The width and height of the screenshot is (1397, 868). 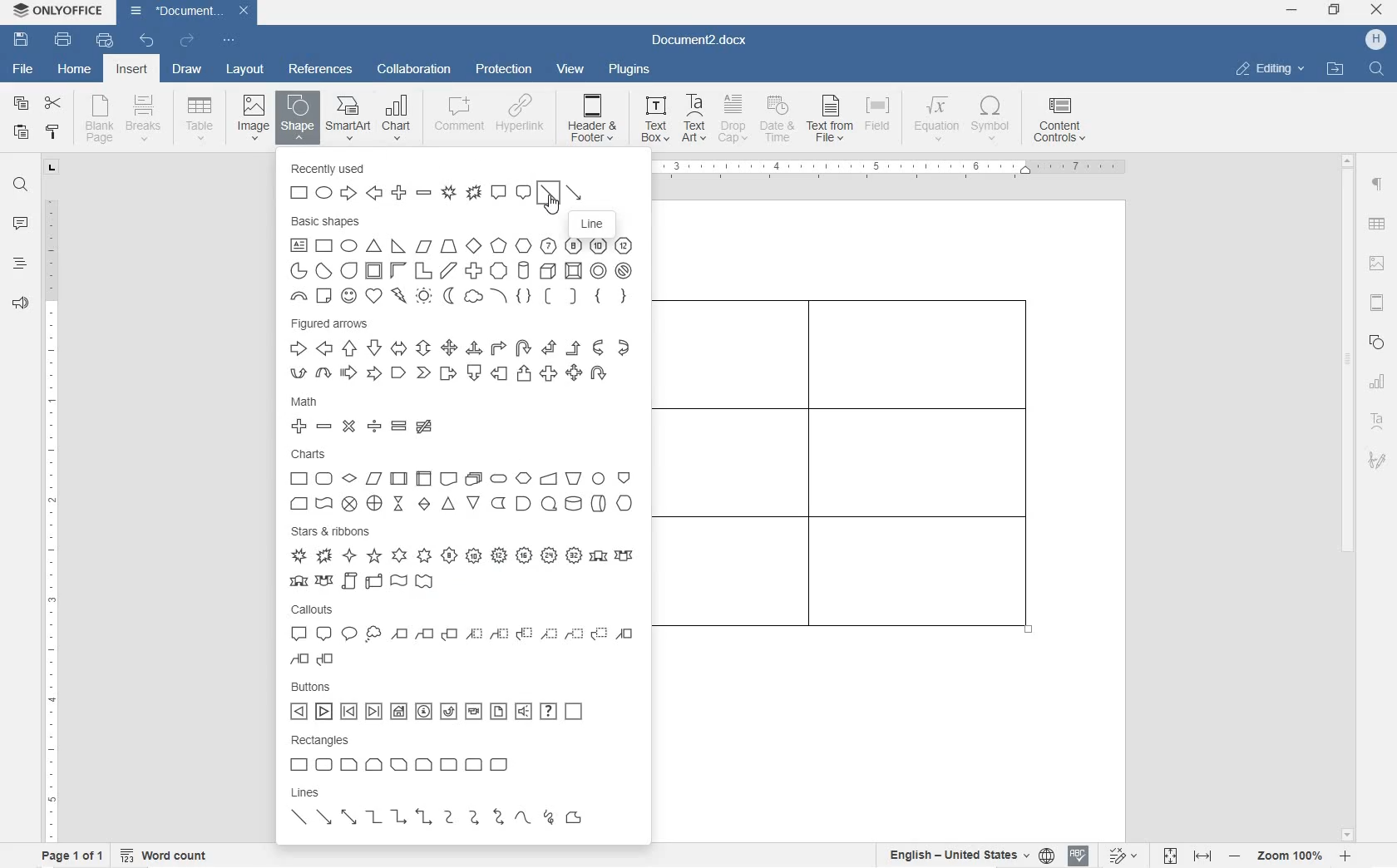 I want to click on cut, so click(x=52, y=104).